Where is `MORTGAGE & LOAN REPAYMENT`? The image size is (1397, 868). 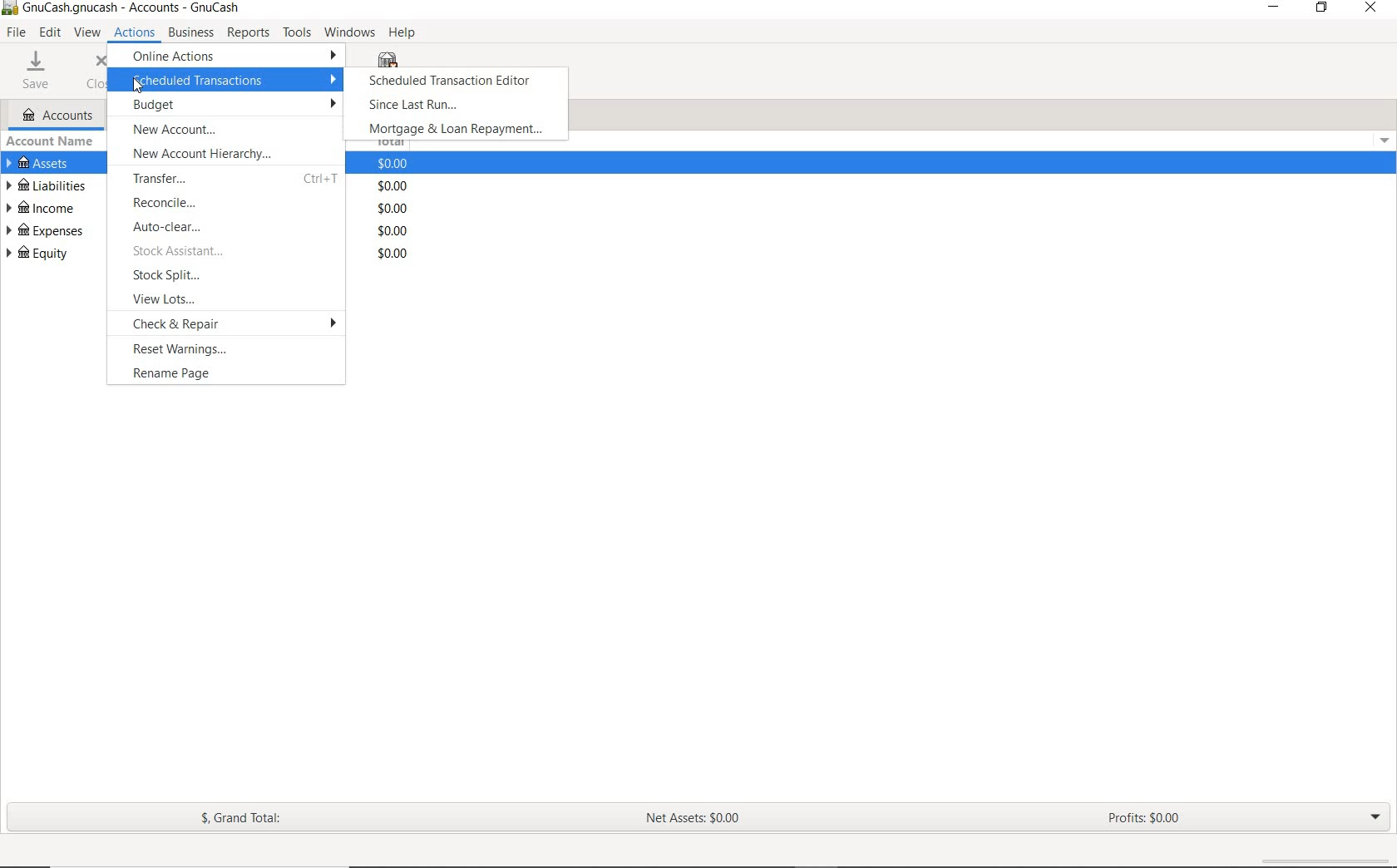
MORTGAGE & LOAN REPAYMENT is located at coordinates (455, 130).